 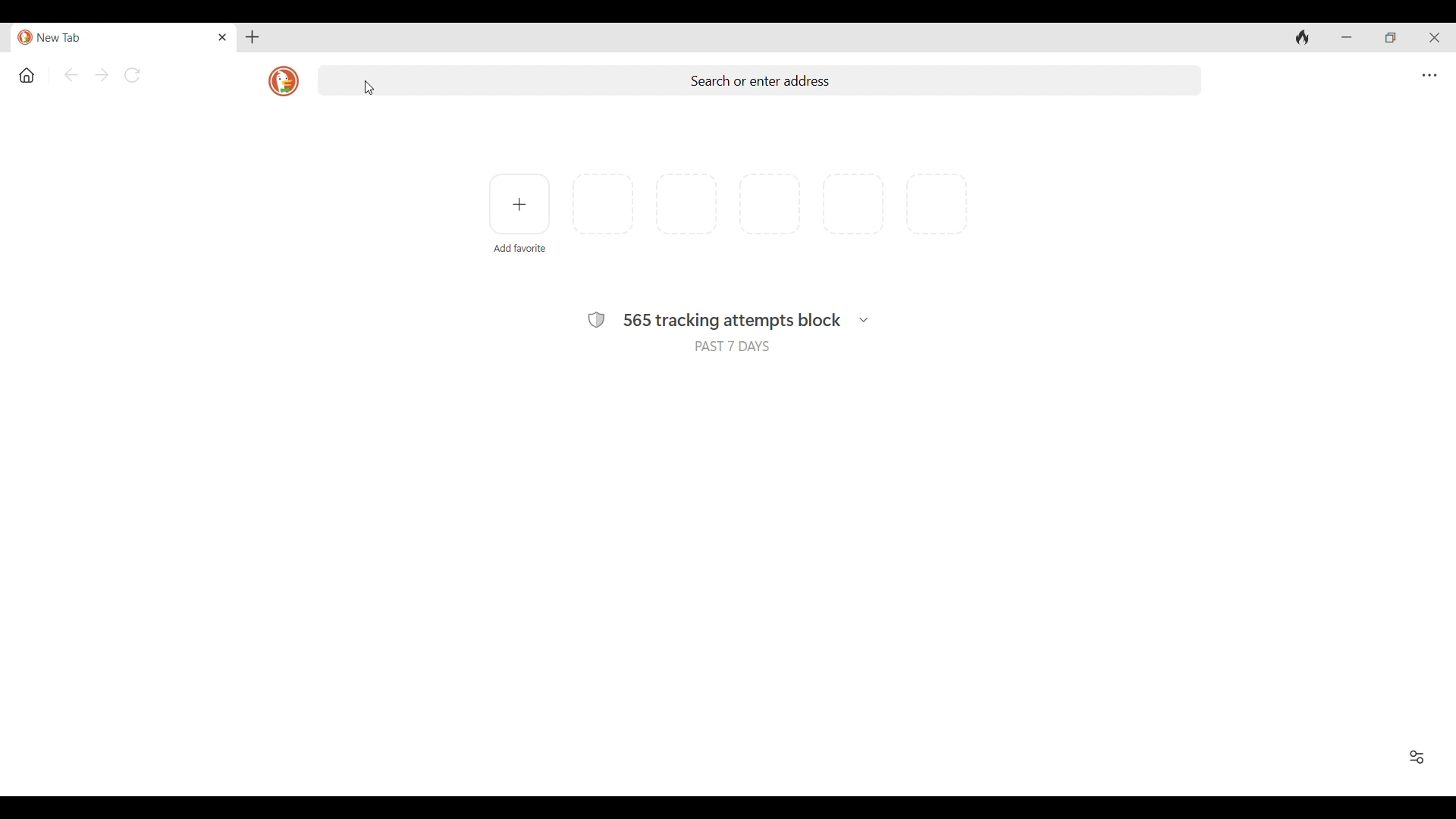 What do you see at coordinates (732, 347) in the screenshot?
I see `PAST 7 DAYS` at bounding box center [732, 347].